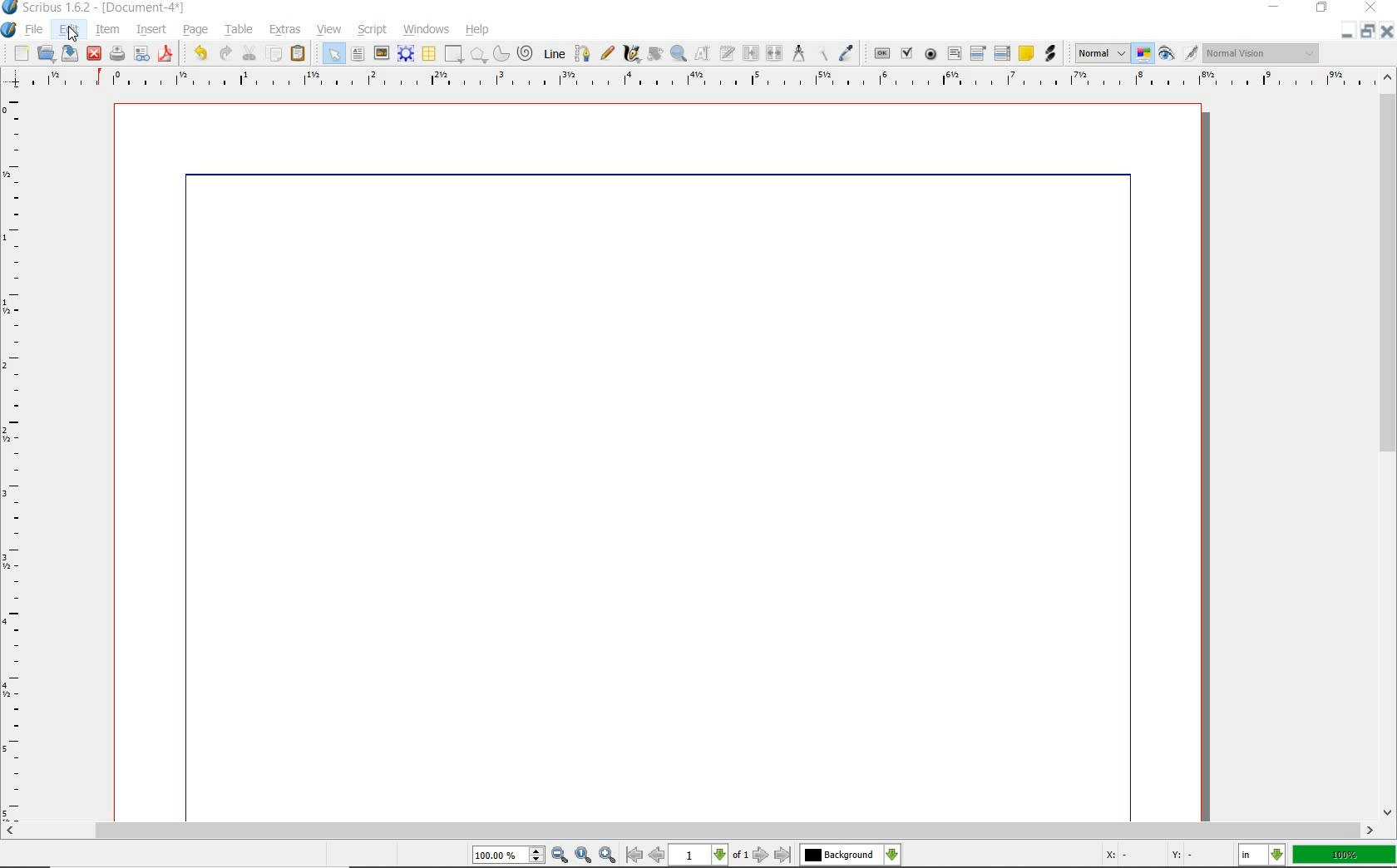 The image size is (1397, 868). Describe the element at coordinates (1262, 55) in the screenshot. I see `Normal Vision` at that location.